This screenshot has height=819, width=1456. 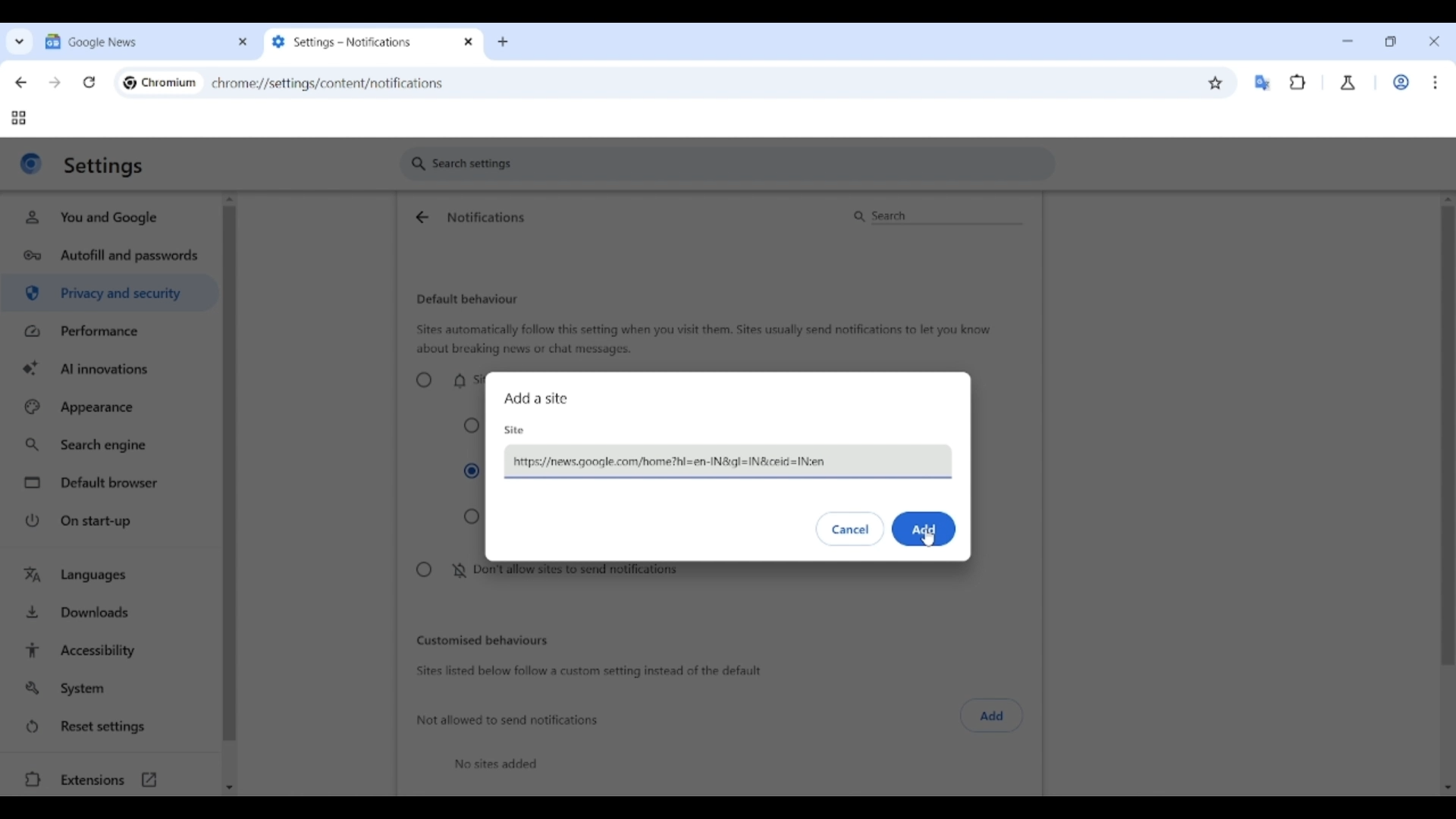 What do you see at coordinates (361, 42) in the screenshot?
I see `Tab 2` at bounding box center [361, 42].